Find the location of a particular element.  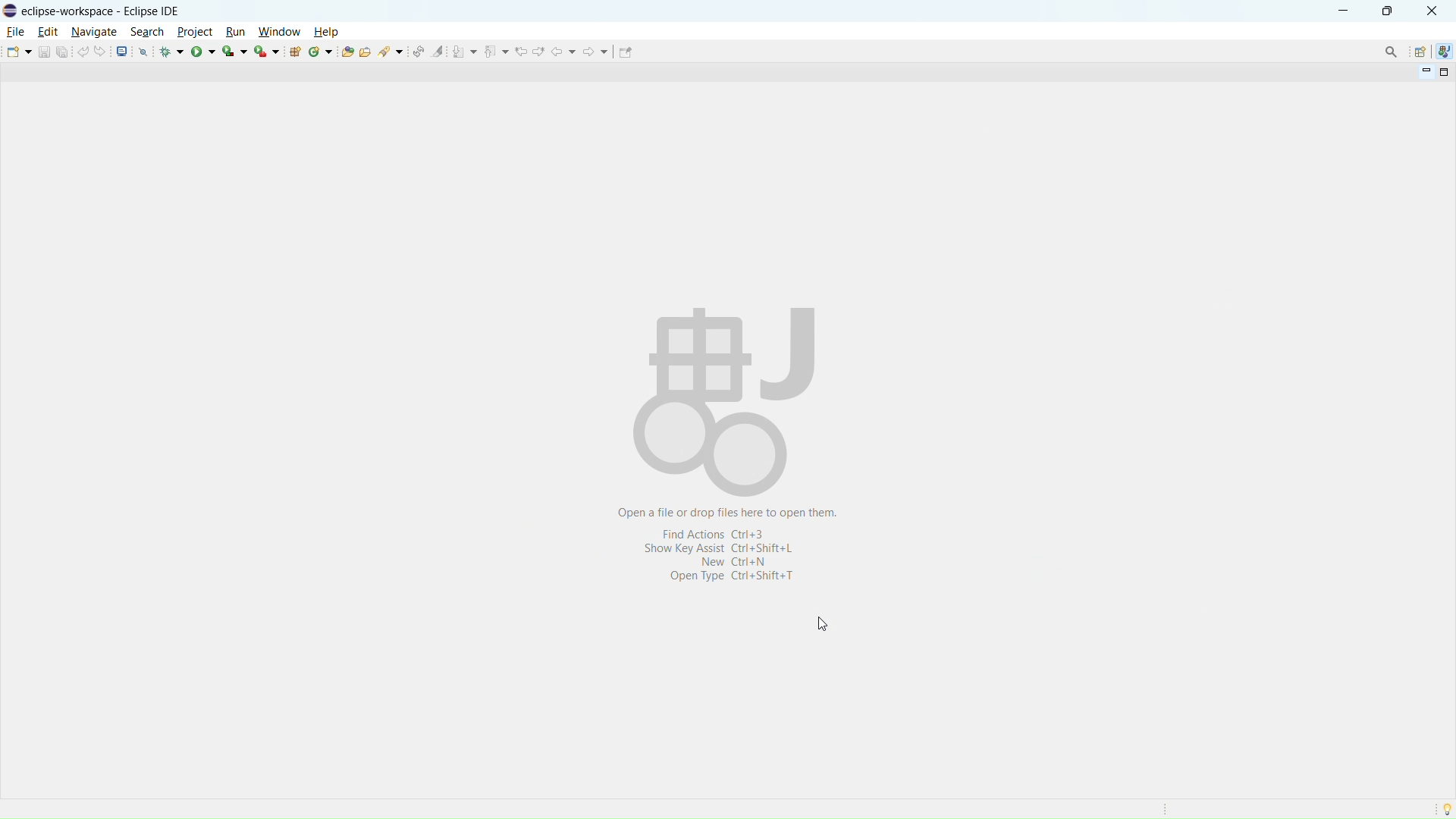

open console is located at coordinates (122, 51).